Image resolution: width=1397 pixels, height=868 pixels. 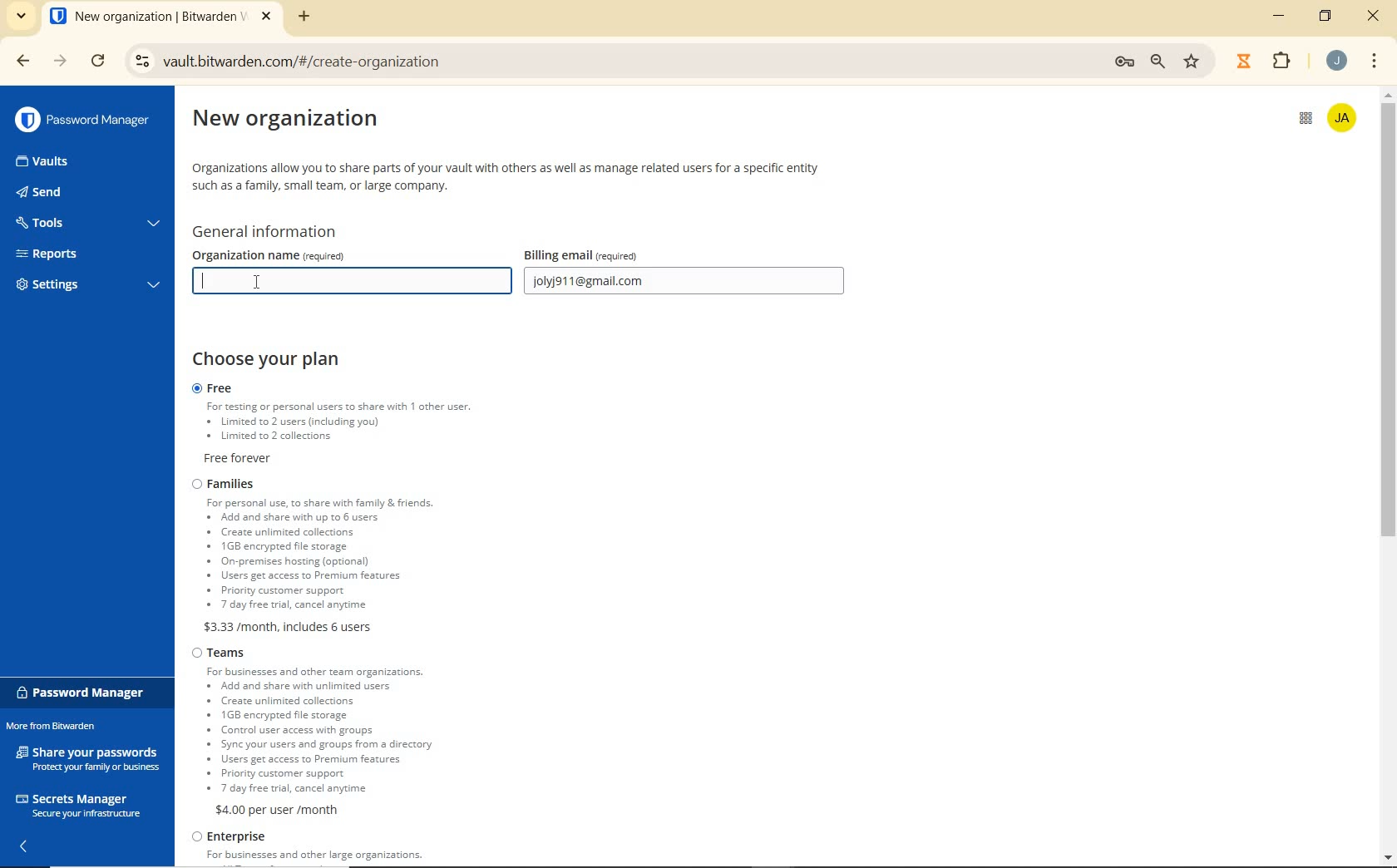 I want to click on billing email, so click(x=617, y=254).